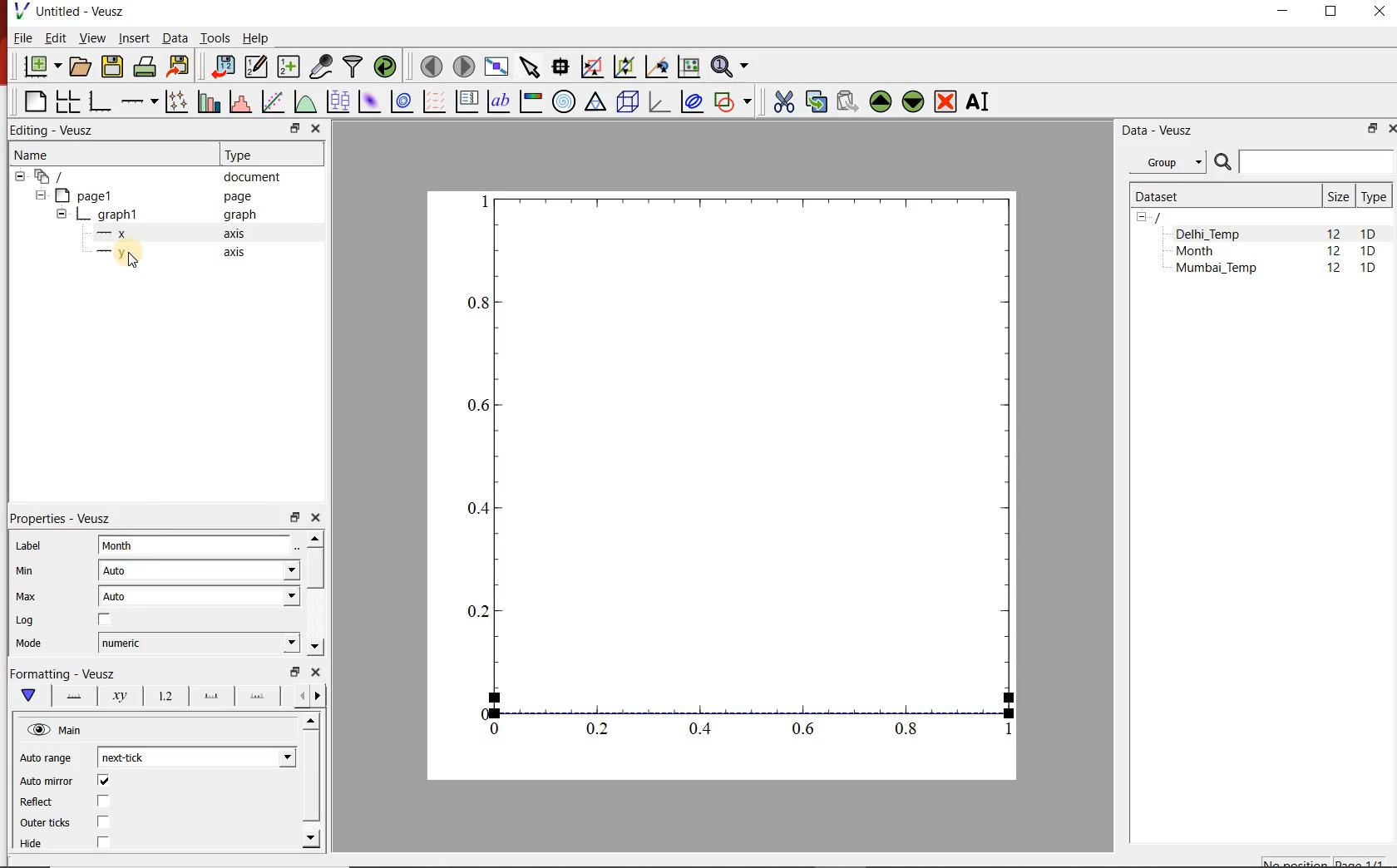 Image resolution: width=1397 pixels, height=868 pixels. I want to click on Properties - Veusz, so click(57, 519).